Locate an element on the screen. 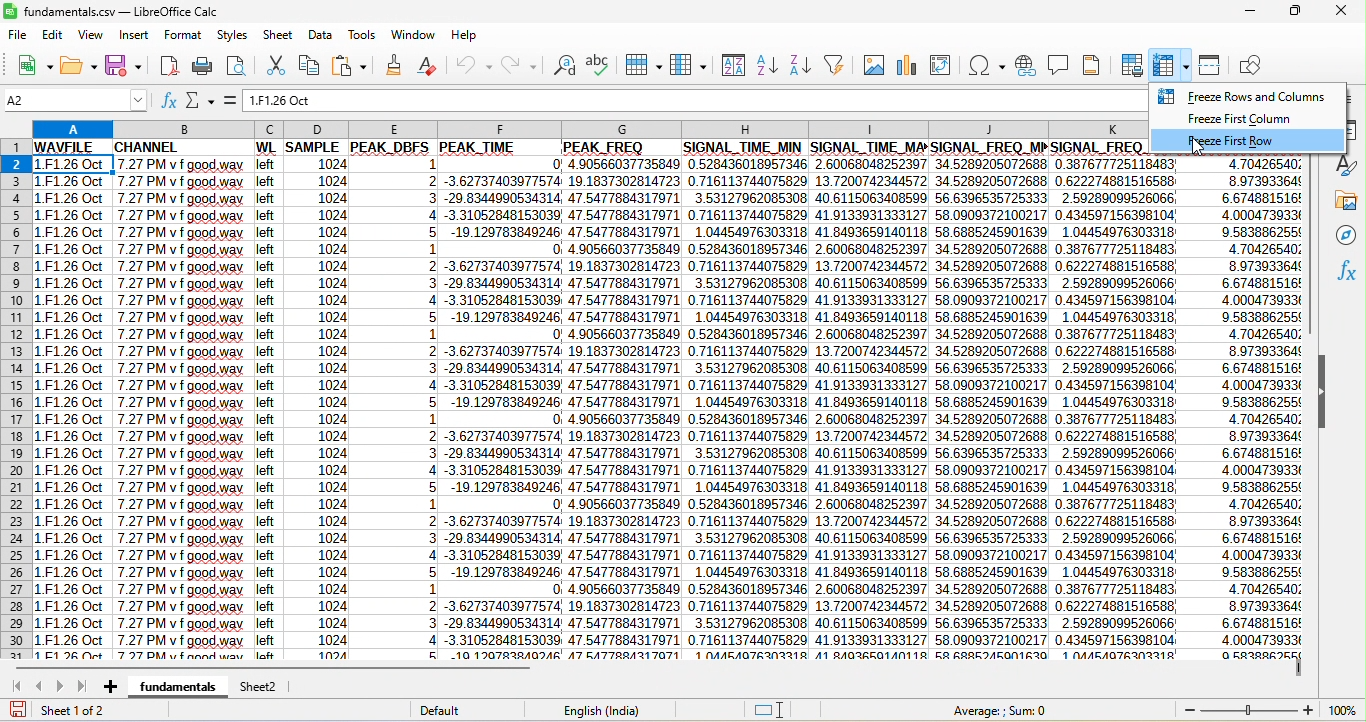 Image resolution: width=1366 pixels, height=722 pixels. sidebar setting is located at coordinates (1352, 100).